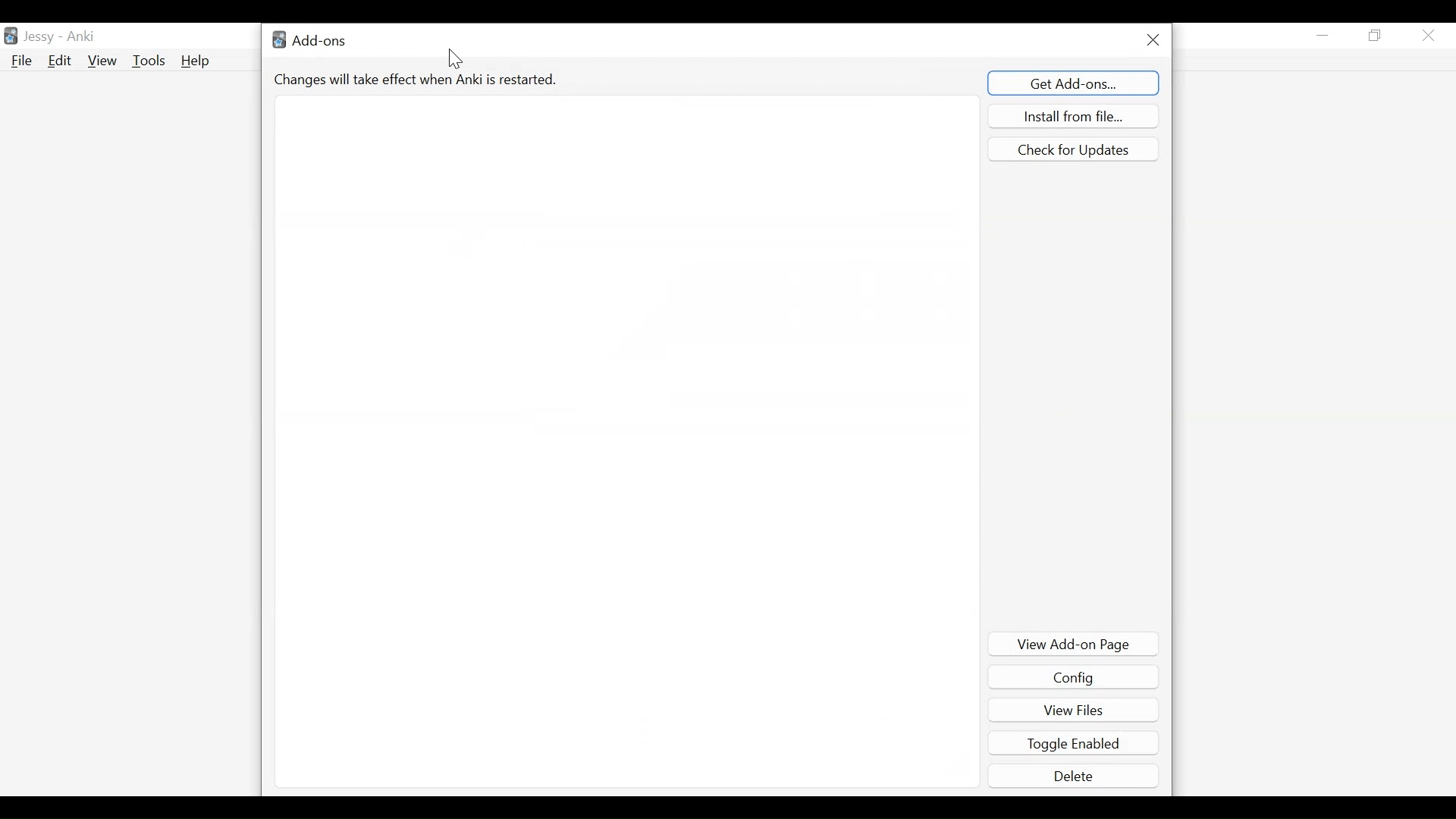  I want to click on Check for updates, so click(1072, 149).